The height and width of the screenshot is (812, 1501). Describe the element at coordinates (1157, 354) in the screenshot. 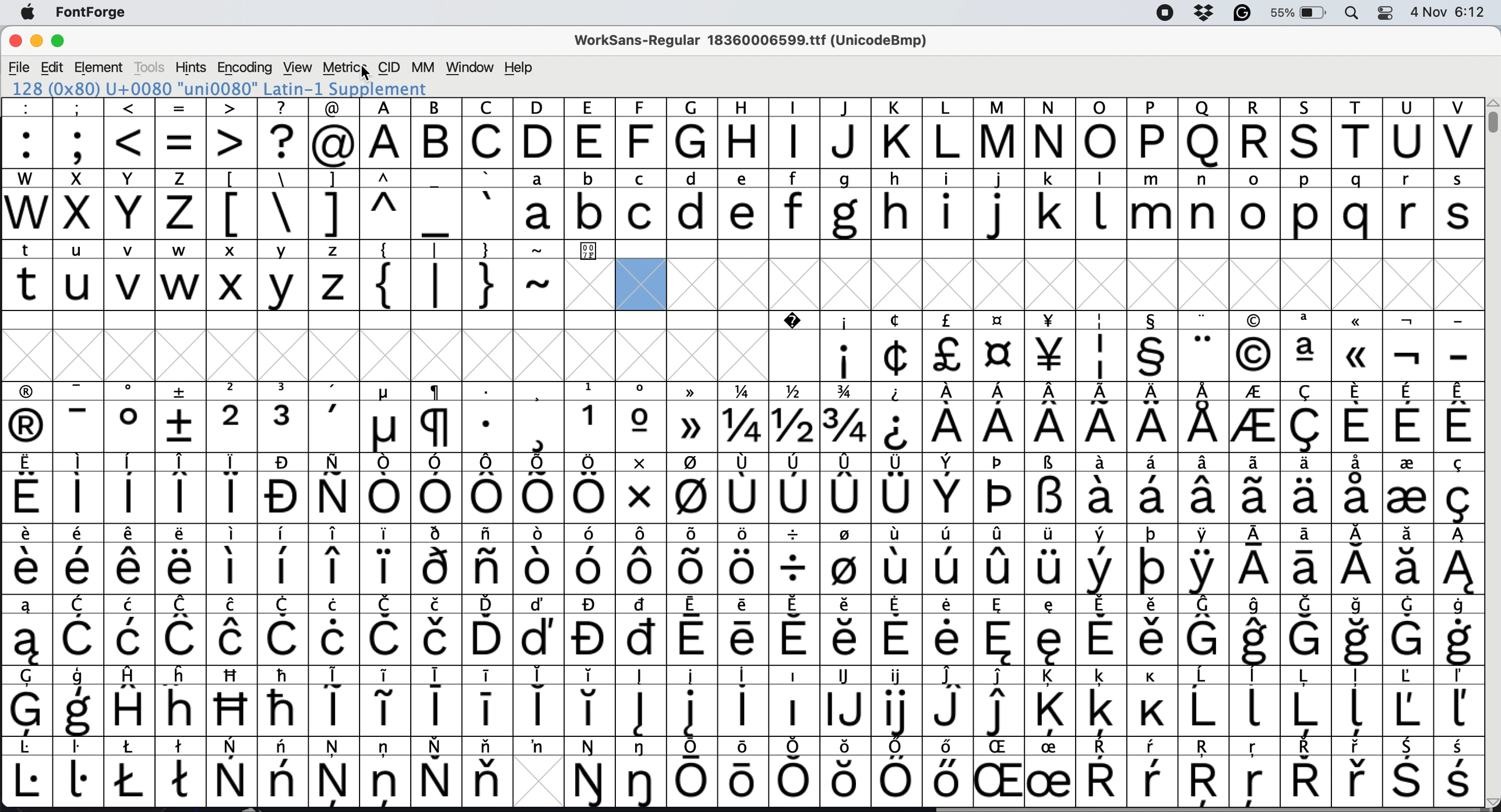

I see `special characters` at that location.